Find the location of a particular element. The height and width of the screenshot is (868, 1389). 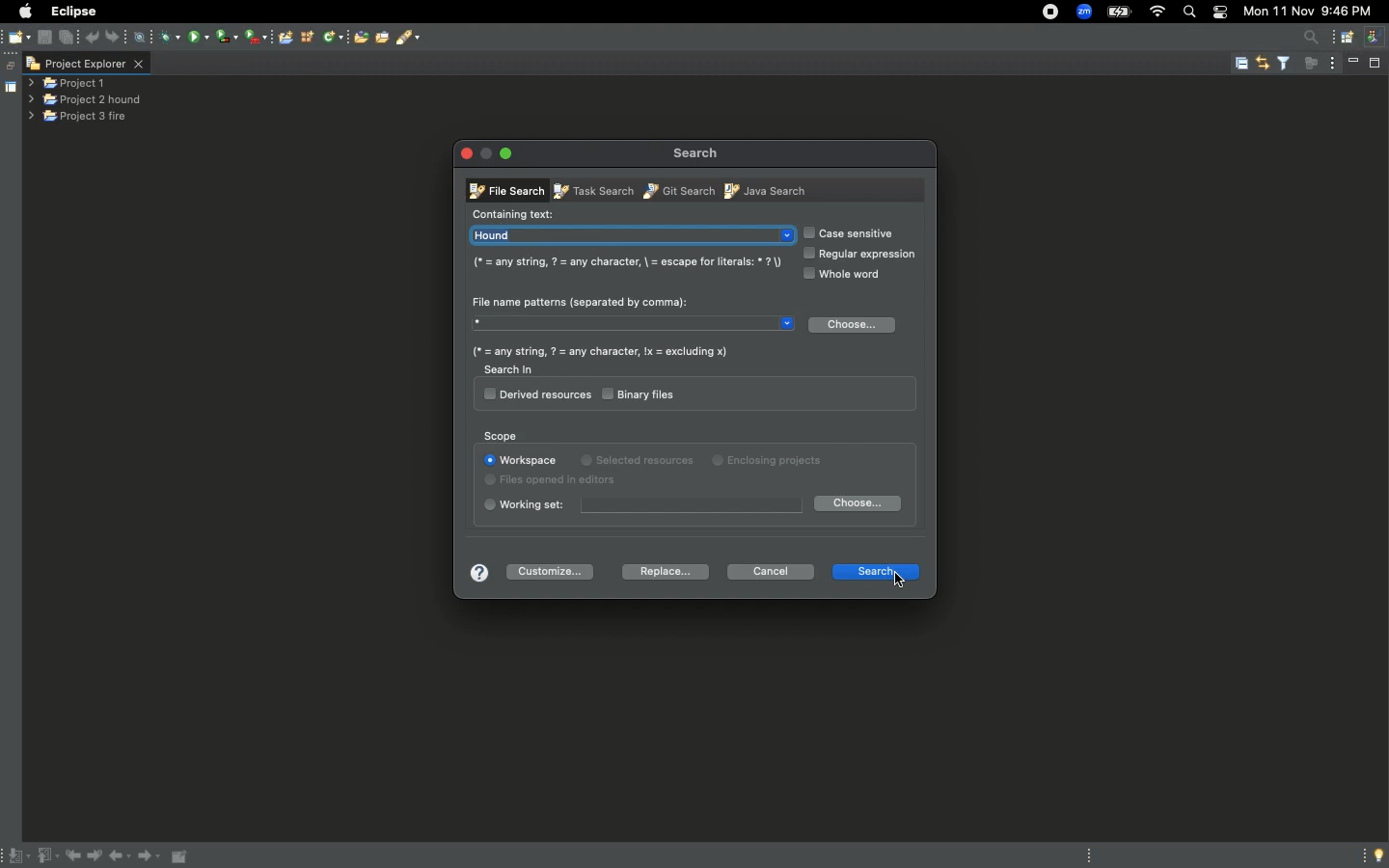

Close is located at coordinates (465, 151).